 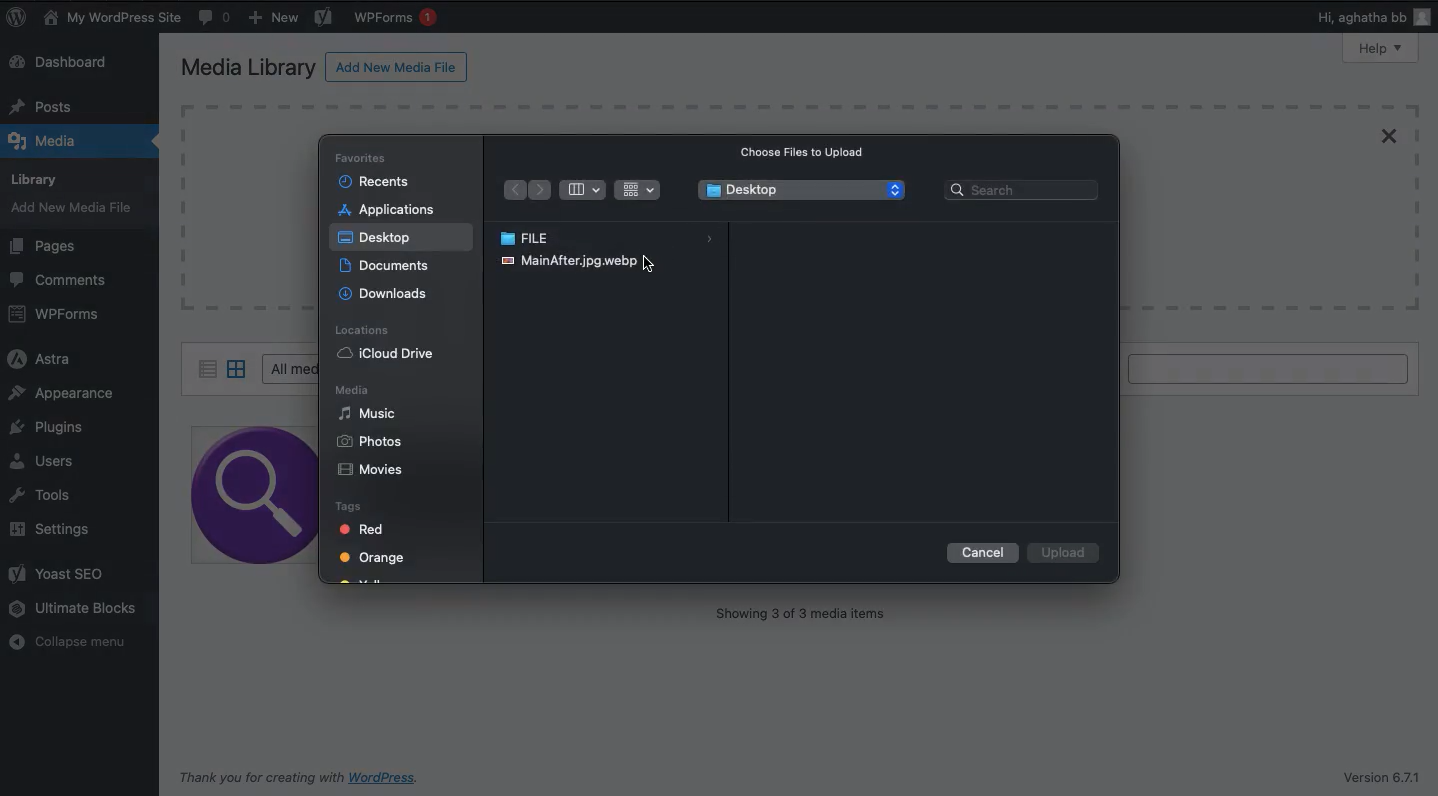 I want to click on Cancel, so click(x=985, y=552).